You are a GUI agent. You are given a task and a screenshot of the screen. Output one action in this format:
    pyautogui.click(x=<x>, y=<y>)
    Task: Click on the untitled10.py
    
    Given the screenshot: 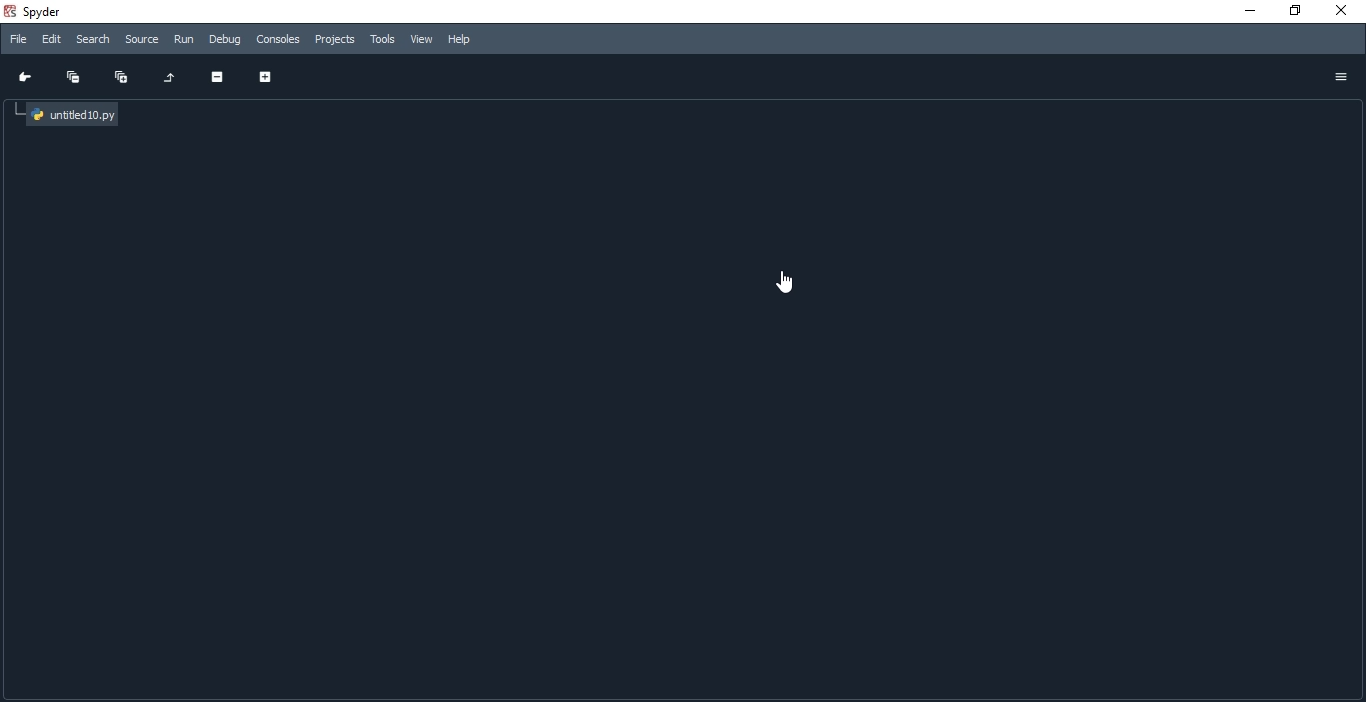 What is the action you would take?
    pyautogui.click(x=66, y=115)
    